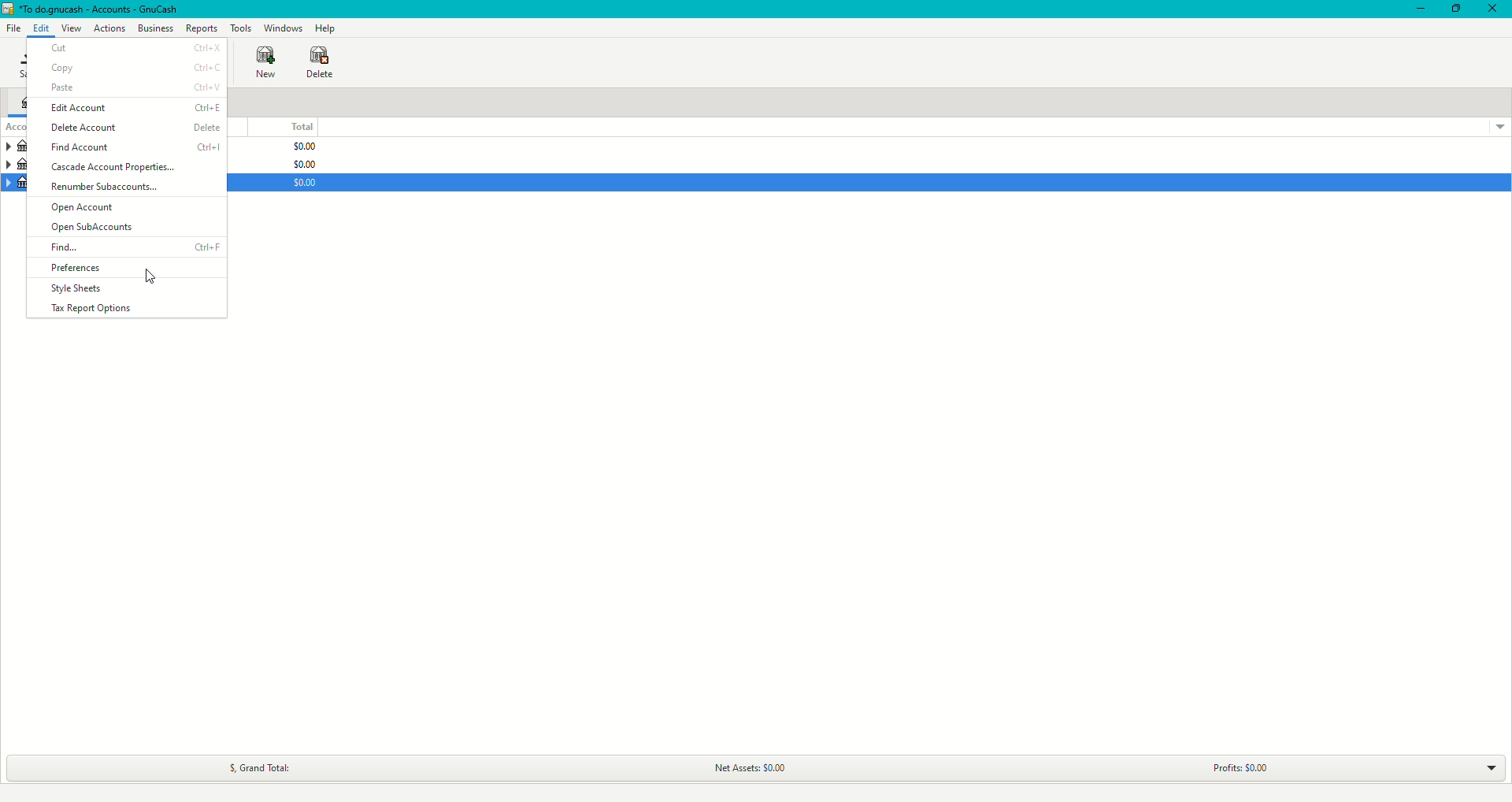 The image size is (1512, 802). What do you see at coordinates (267, 62) in the screenshot?
I see `New` at bounding box center [267, 62].